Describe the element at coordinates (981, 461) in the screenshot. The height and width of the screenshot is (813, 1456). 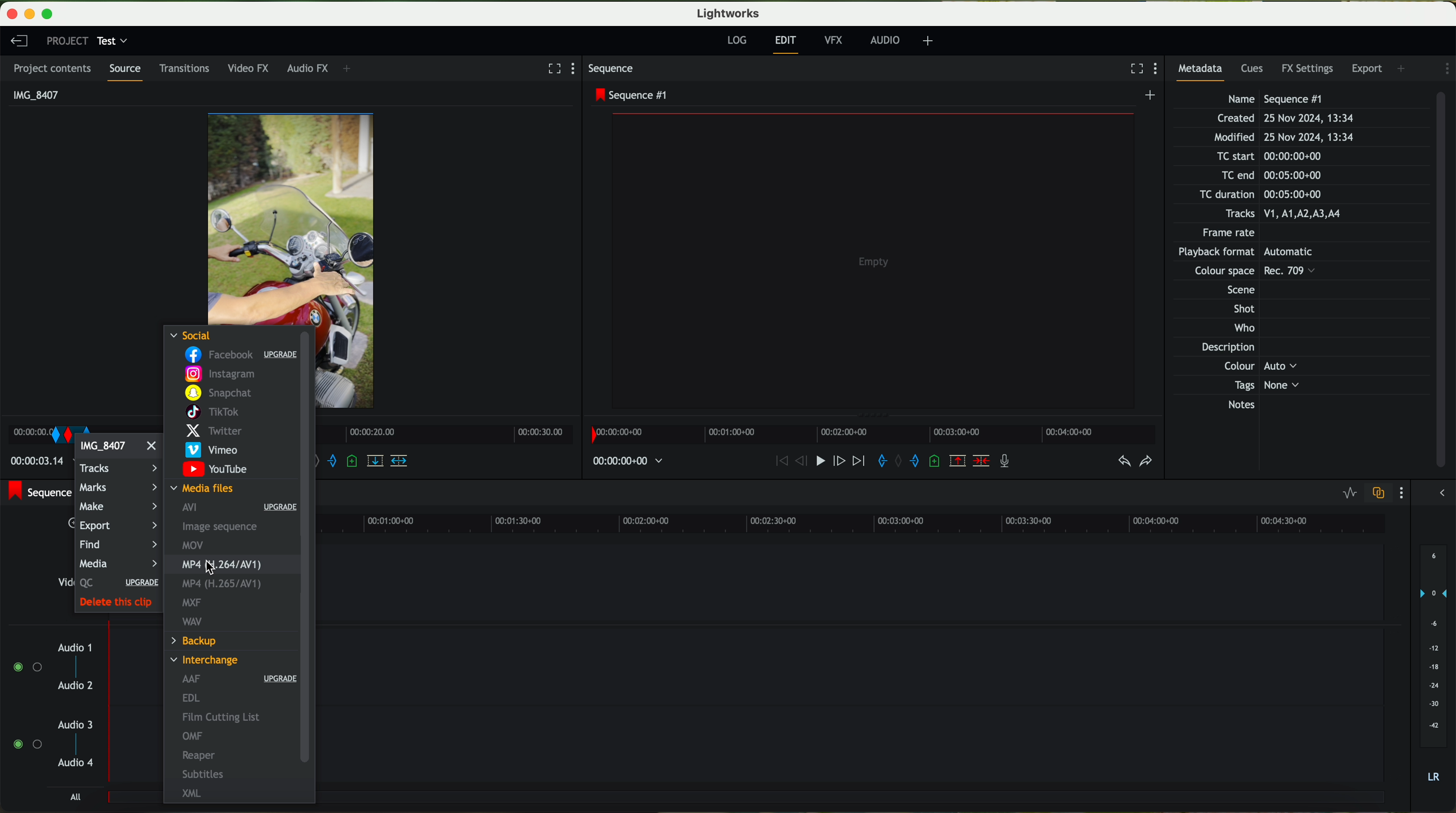
I see `delete/cut` at that location.